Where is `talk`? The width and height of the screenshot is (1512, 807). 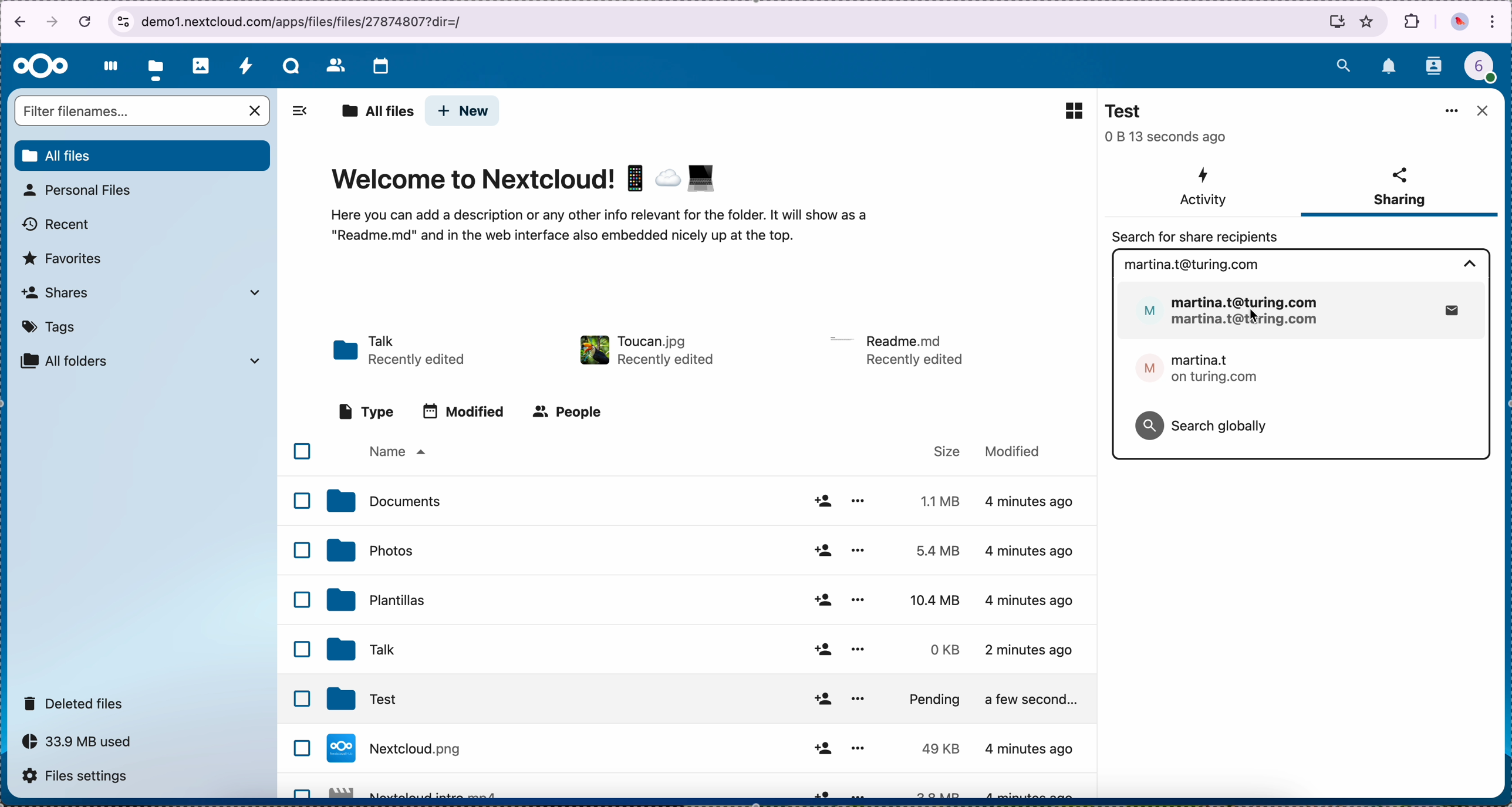 talk is located at coordinates (291, 66).